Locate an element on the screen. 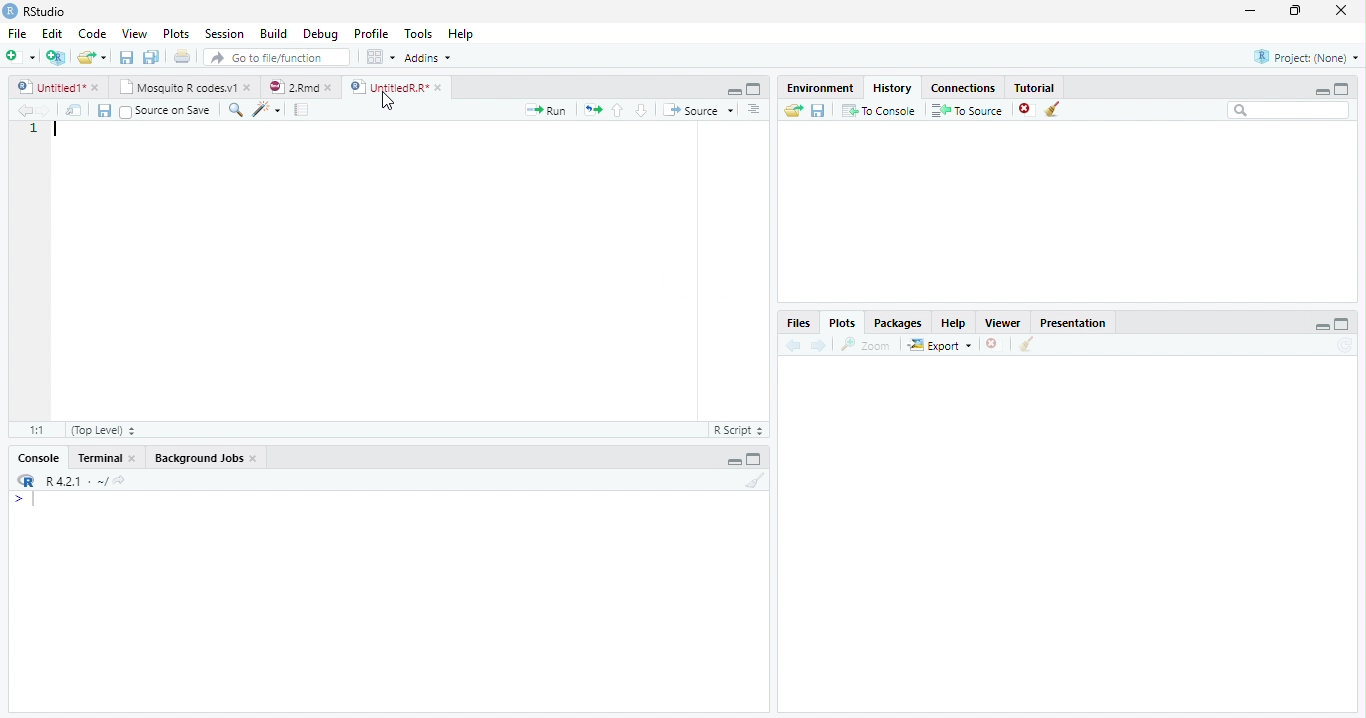 The image size is (1366, 718). Open an existing file is located at coordinates (84, 57).